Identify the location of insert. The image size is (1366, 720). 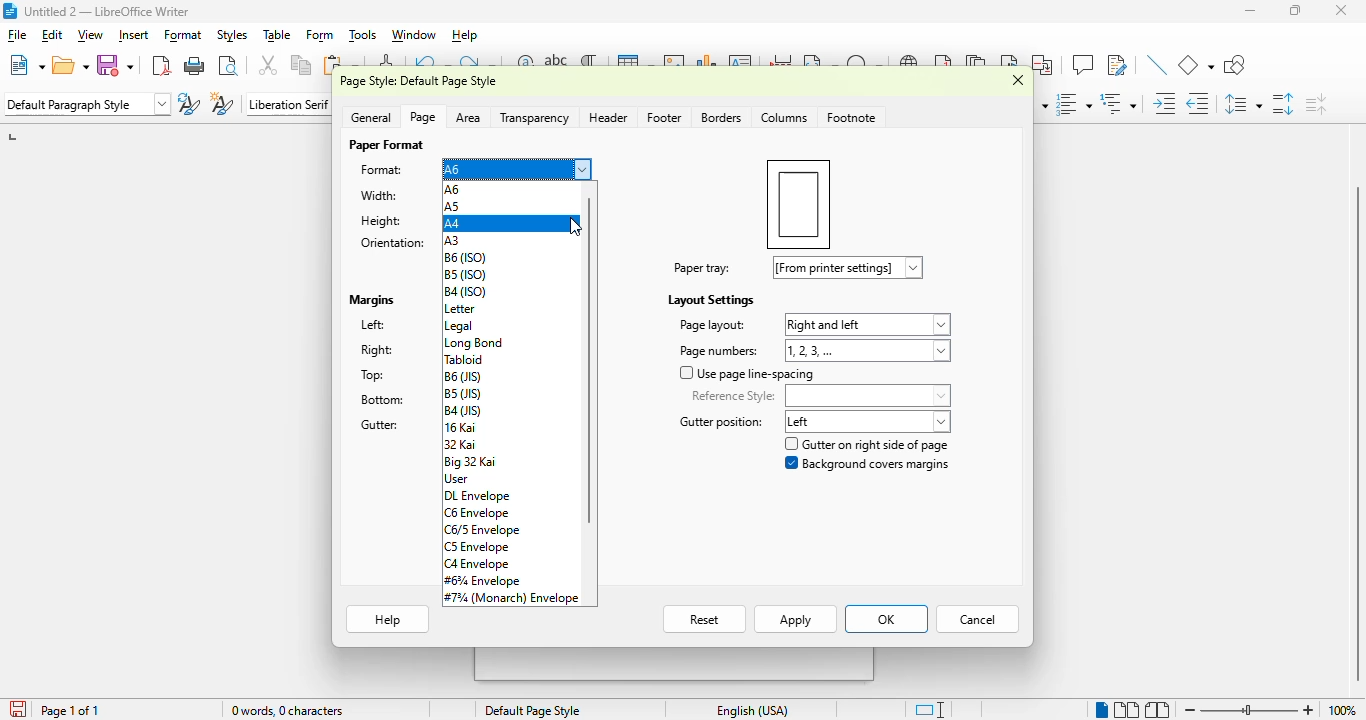
(134, 35).